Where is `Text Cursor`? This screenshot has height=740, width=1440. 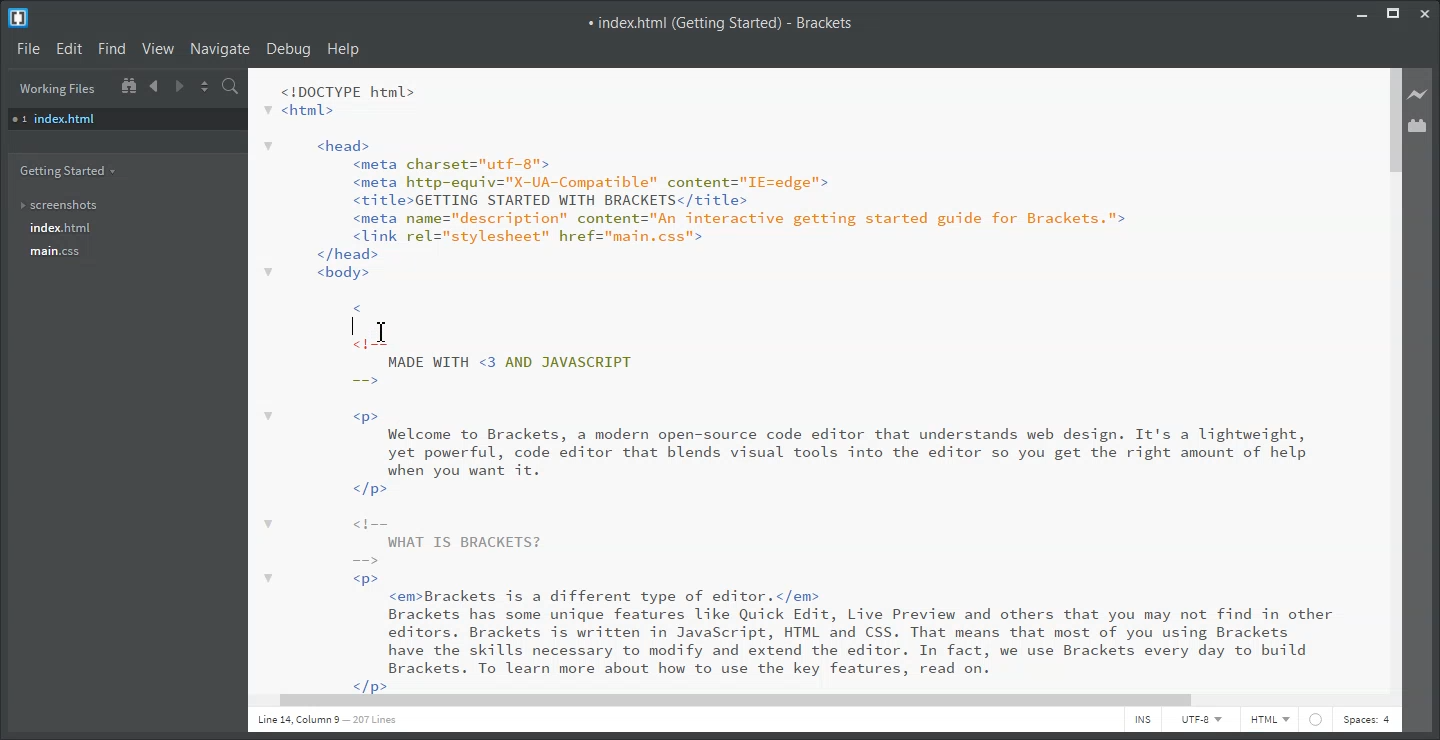 Text Cursor is located at coordinates (383, 331).